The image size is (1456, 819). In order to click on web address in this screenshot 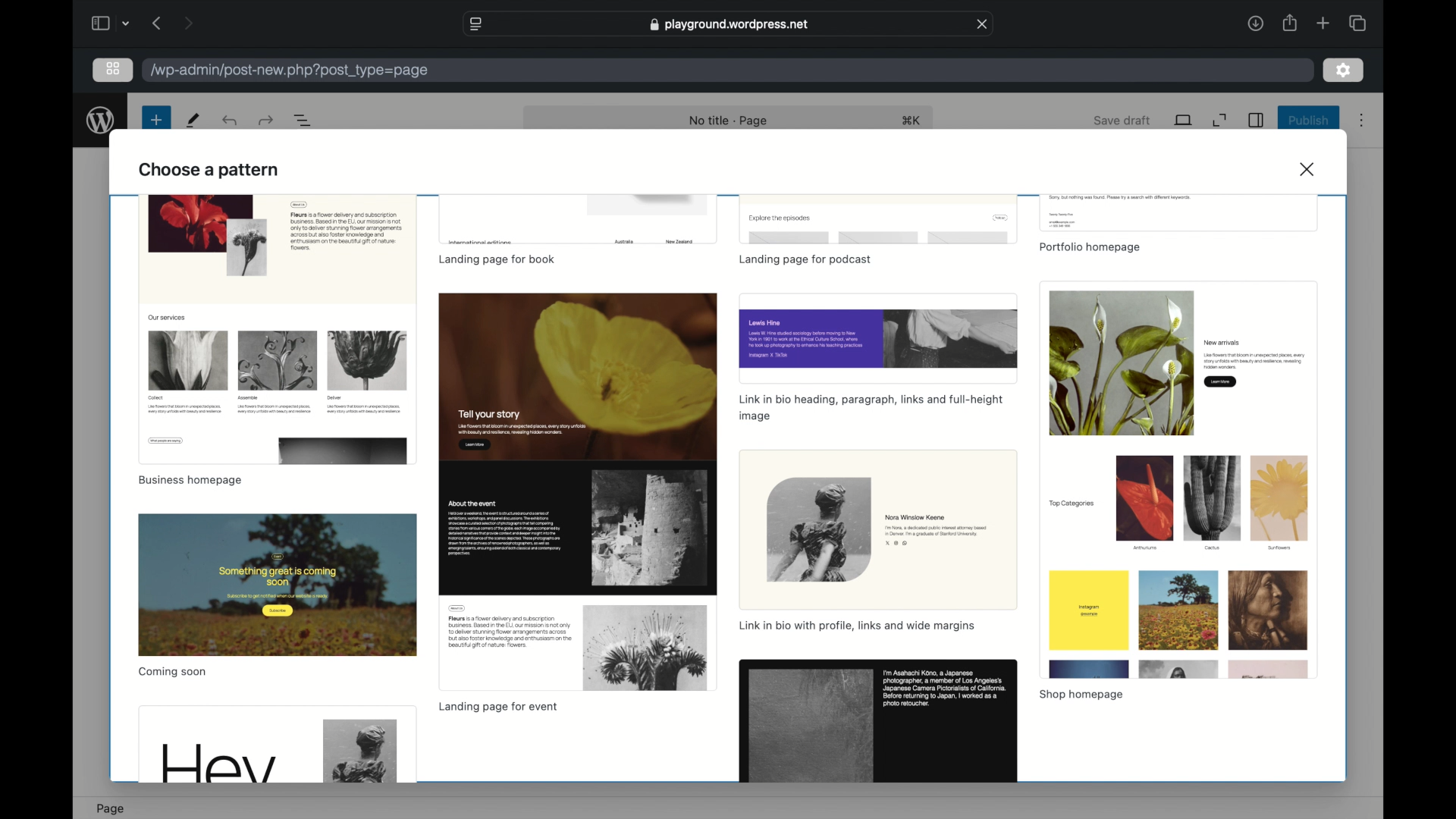, I will do `click(728, 24)`.